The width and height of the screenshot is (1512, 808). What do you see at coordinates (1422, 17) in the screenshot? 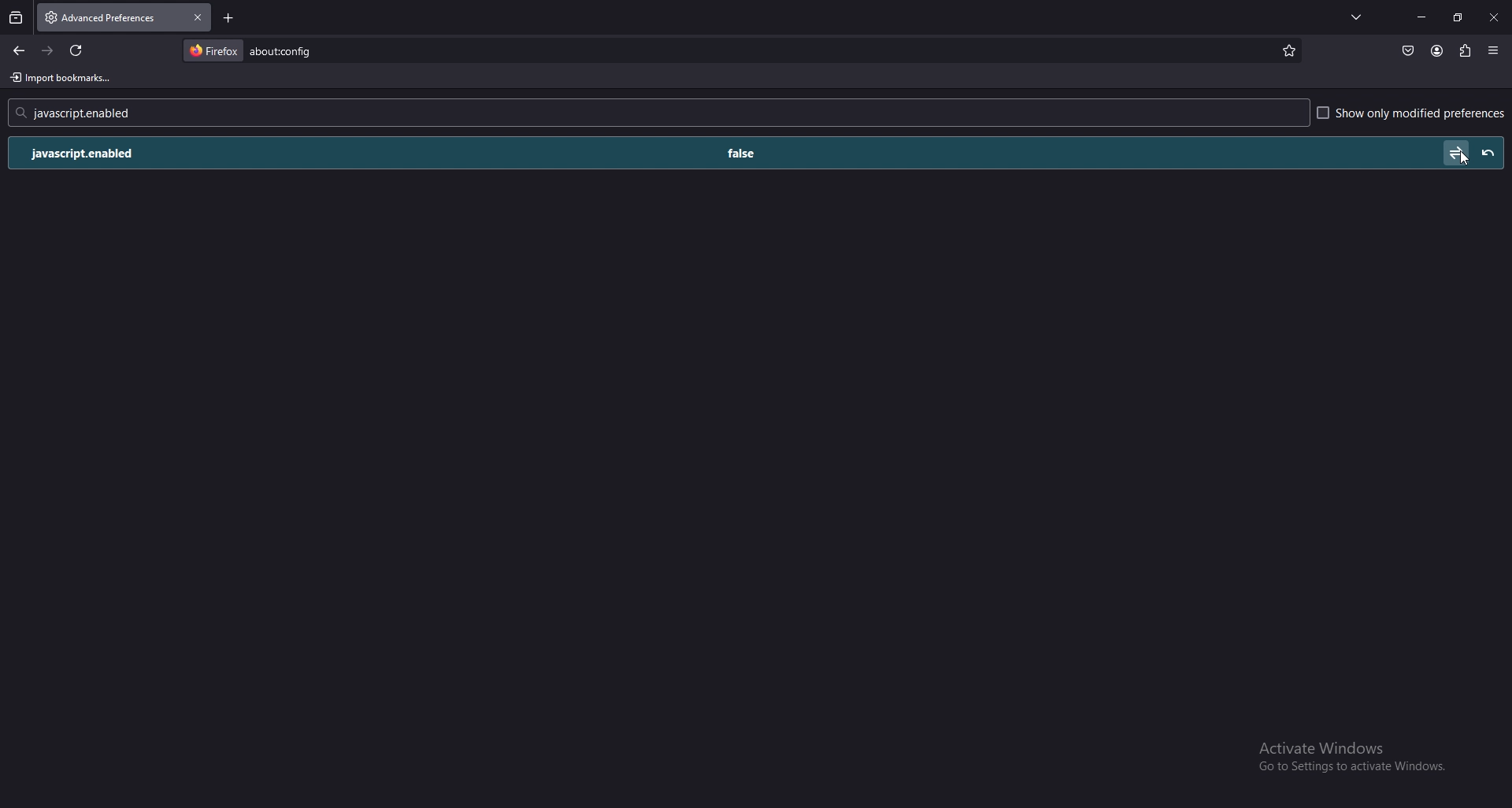
I see `minimize` at bounding box center [1422, 17].